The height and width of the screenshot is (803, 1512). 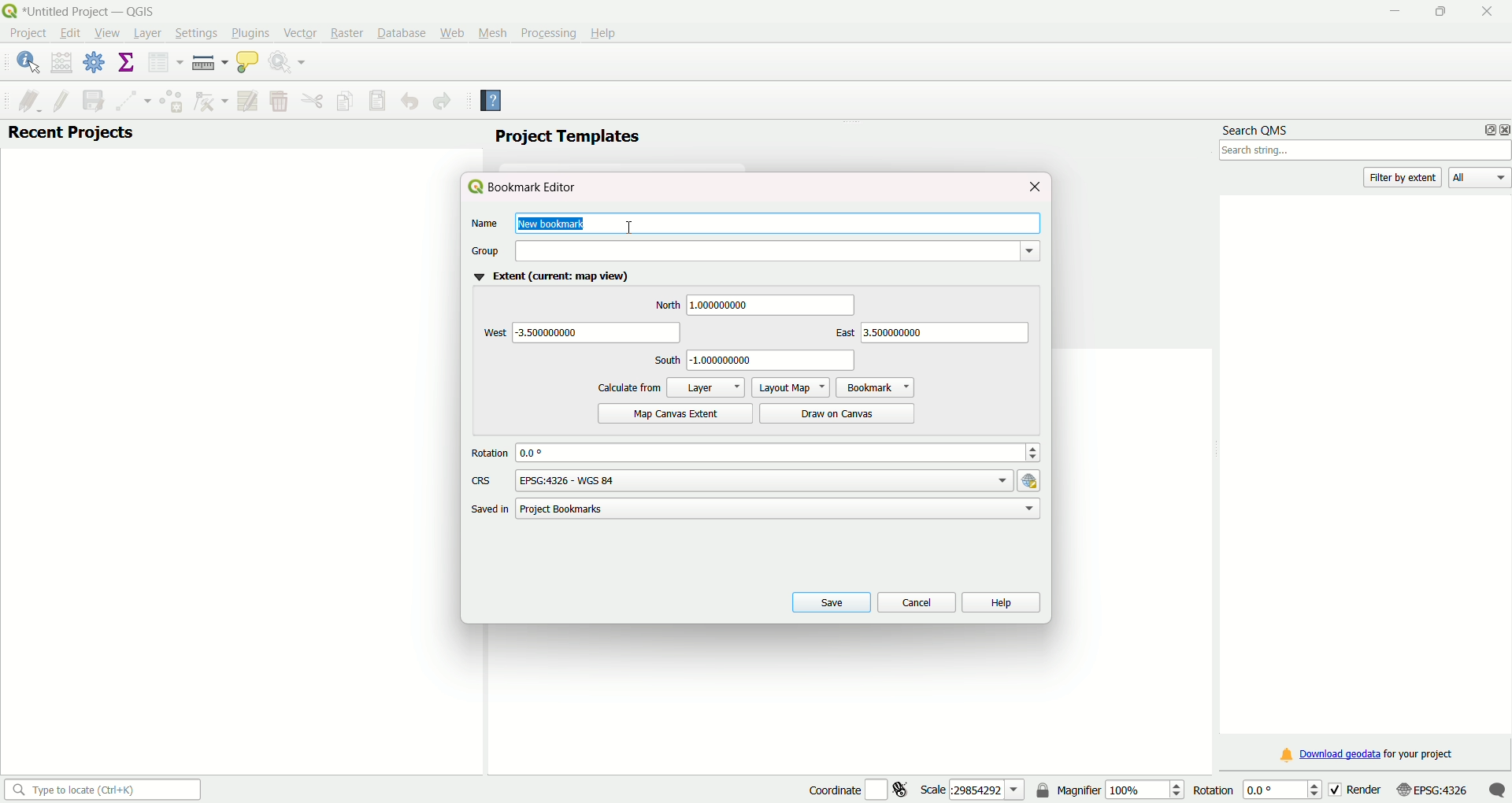 What do you see at coordinates (973, 789) in the screenshot?
I see `scale` at bounding box center [973, 789].